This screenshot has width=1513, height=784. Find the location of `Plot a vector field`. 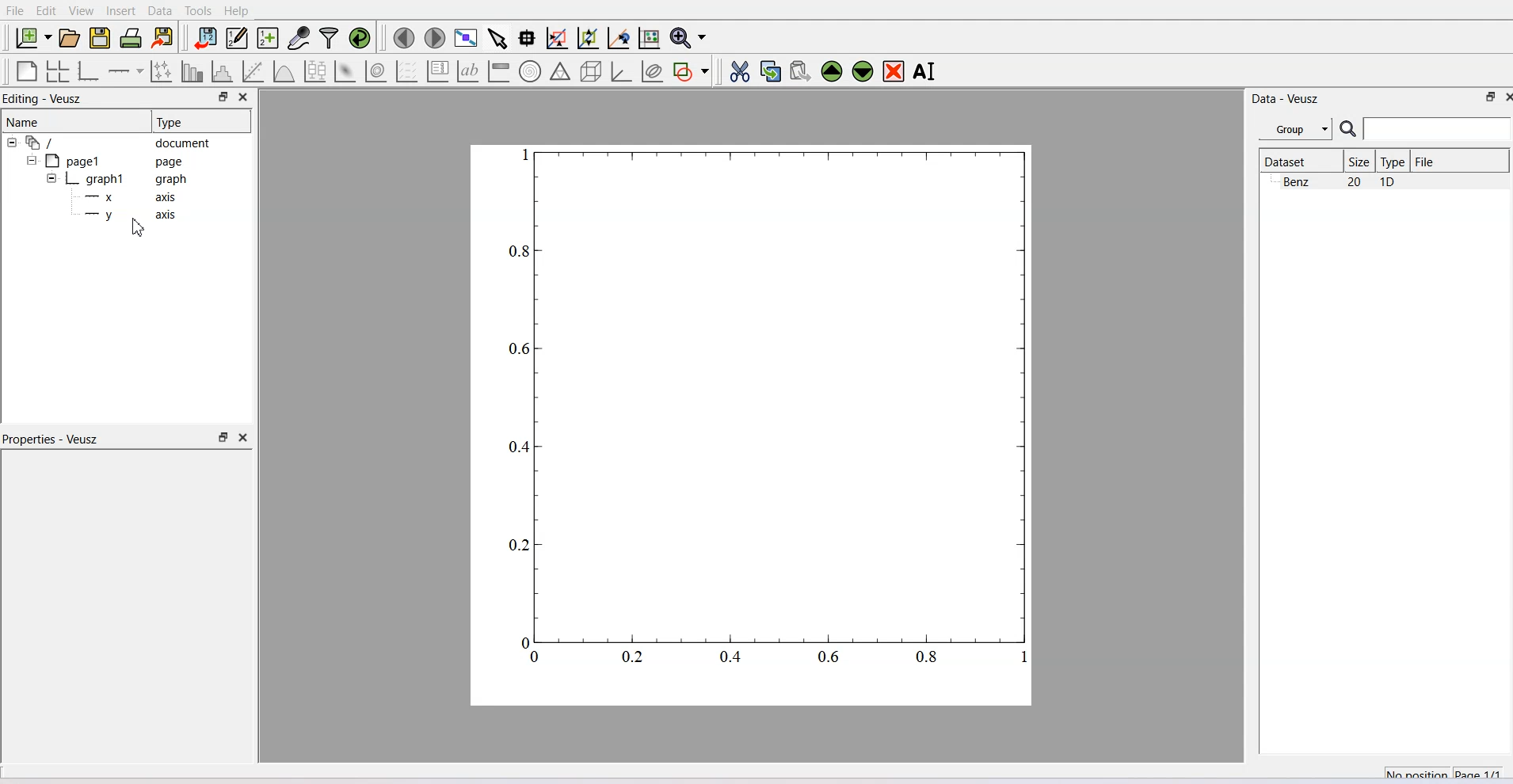

Plot a vector field is located at coordinates (407, 71).